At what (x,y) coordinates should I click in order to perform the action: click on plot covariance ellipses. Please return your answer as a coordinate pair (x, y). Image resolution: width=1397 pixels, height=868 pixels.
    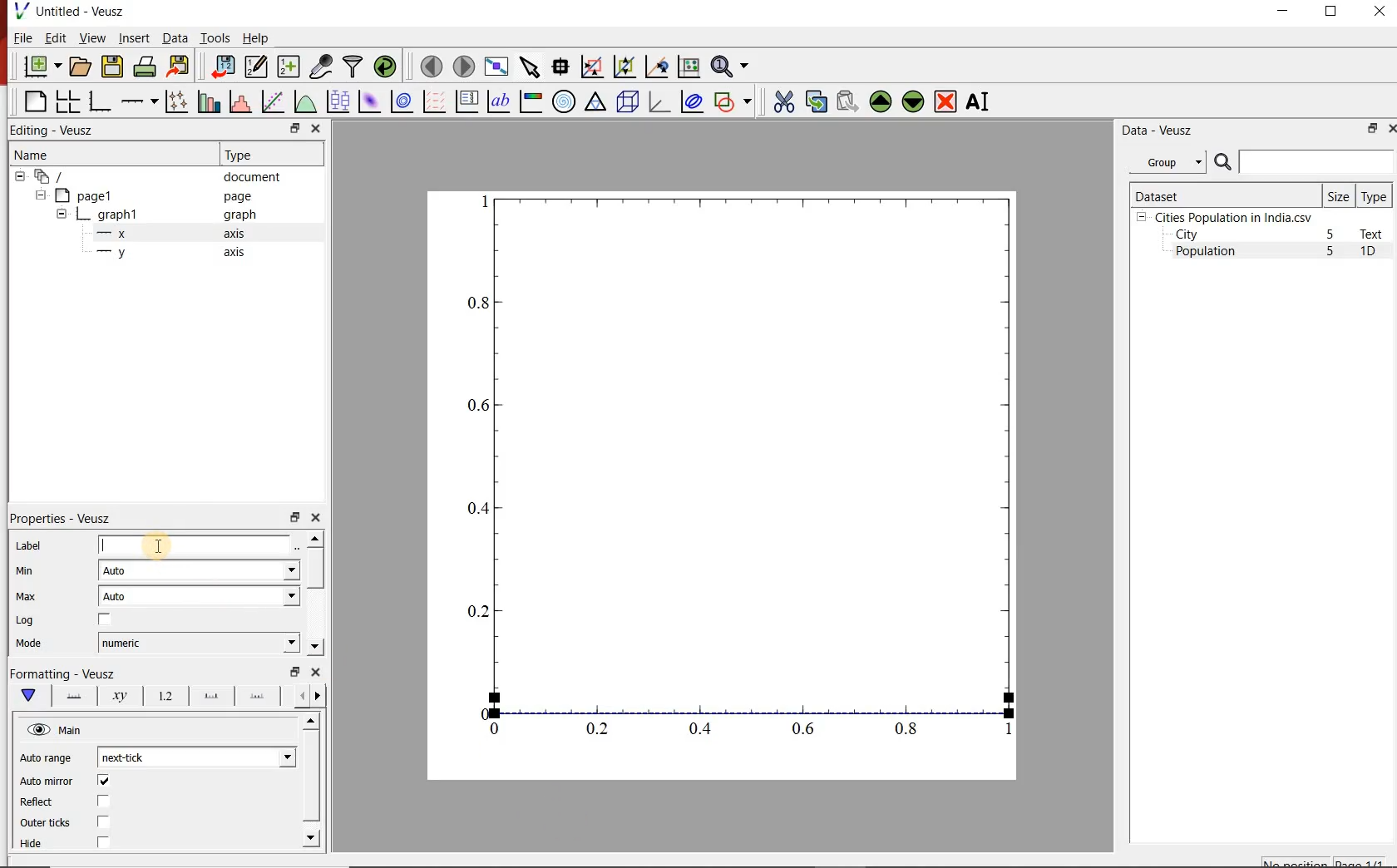
    Looking at the image, I should click on (692, 102).